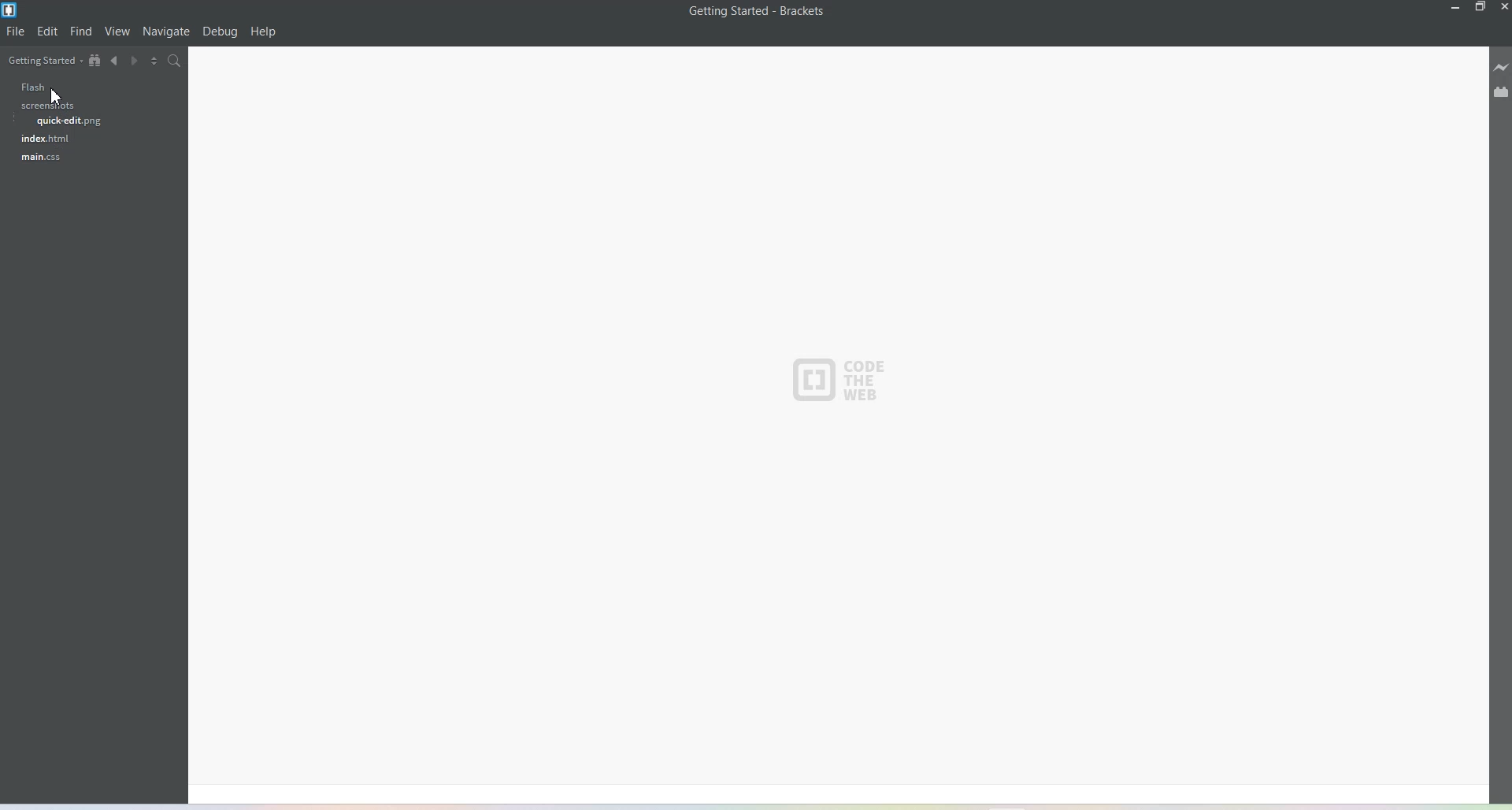  Describe the element at coordinates (138, 63) in the screenshot. I see `Navigate Forwards` at that location.